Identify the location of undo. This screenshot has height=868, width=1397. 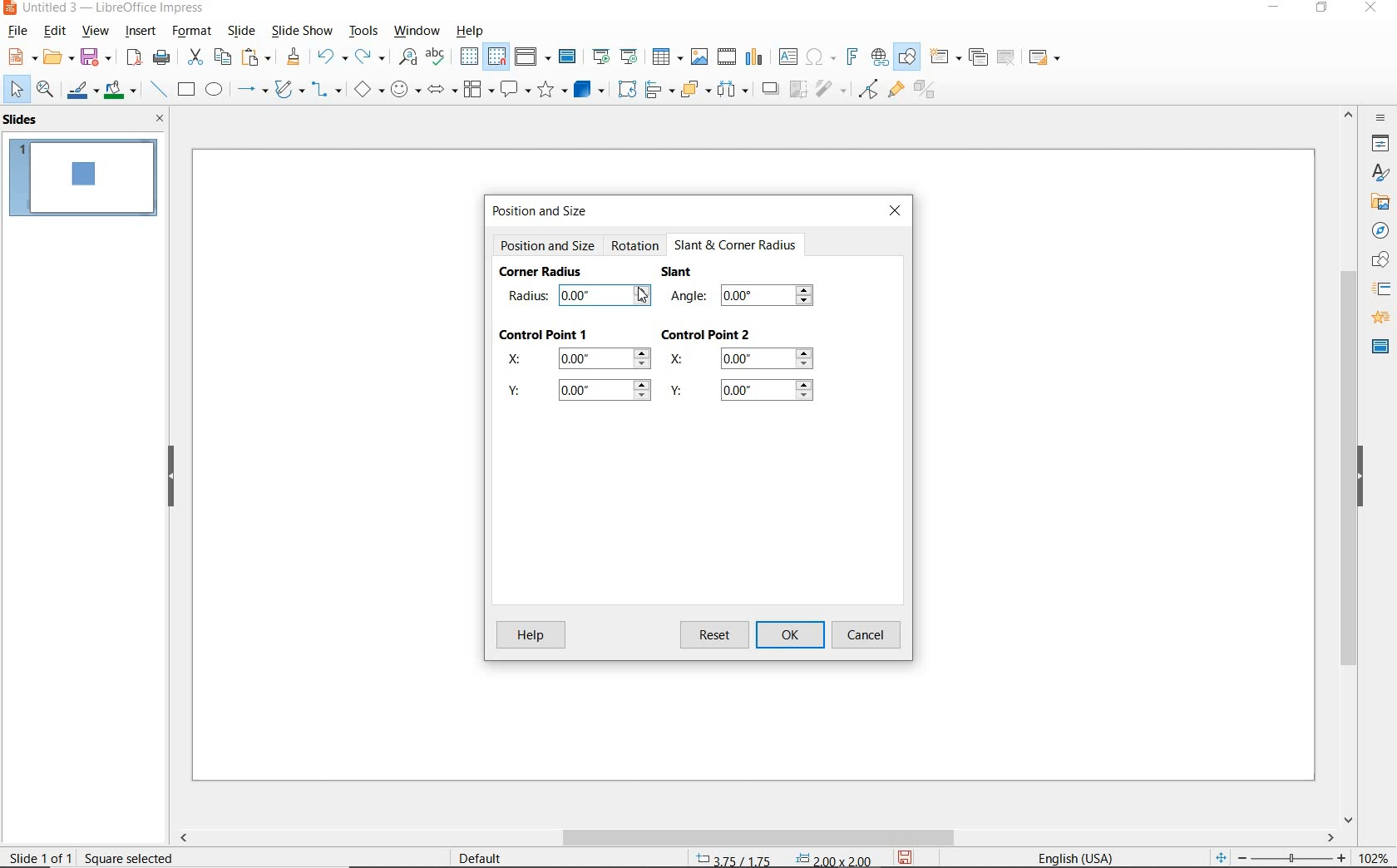
(330, 57).